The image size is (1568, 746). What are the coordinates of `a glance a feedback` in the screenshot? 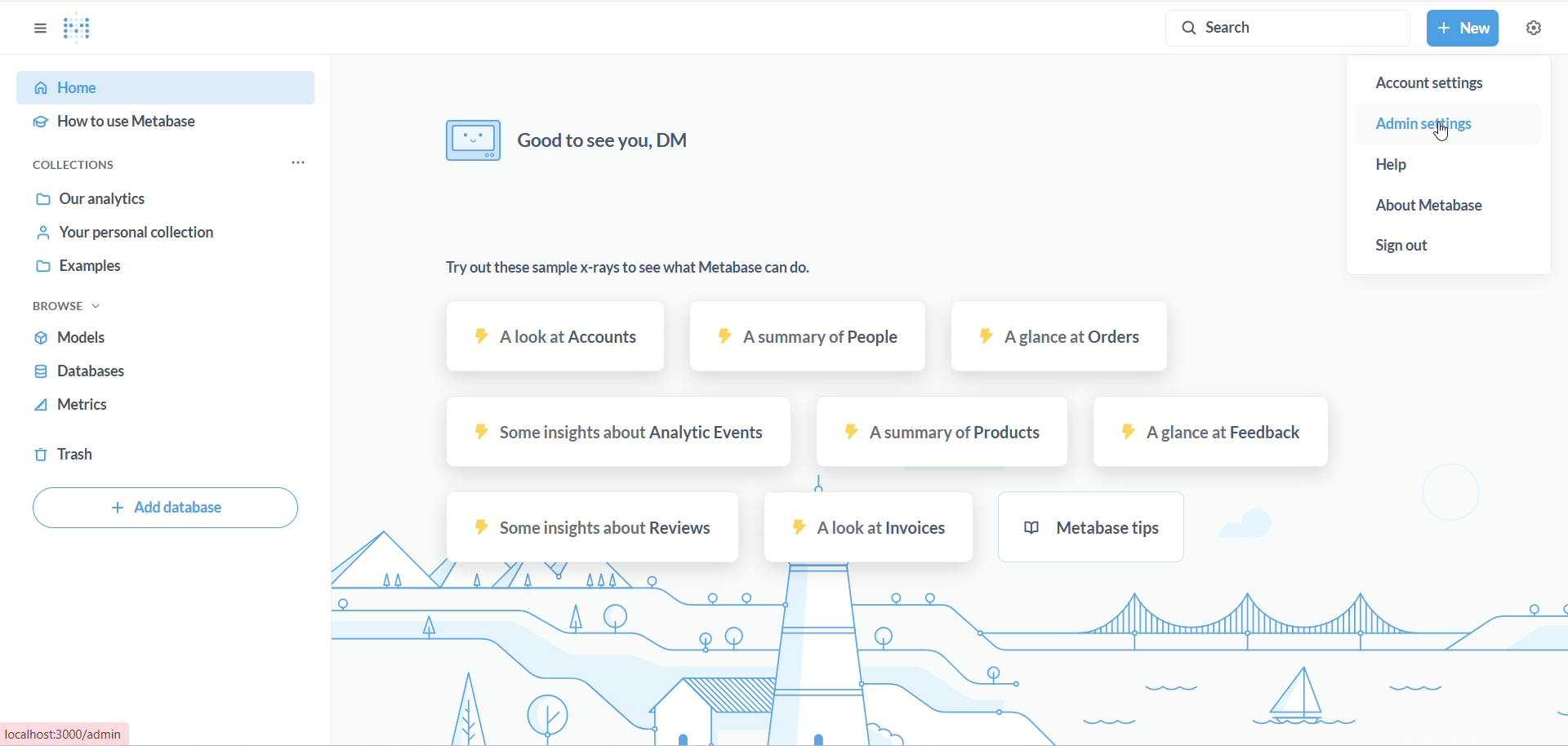 It's located at (1217, 433).